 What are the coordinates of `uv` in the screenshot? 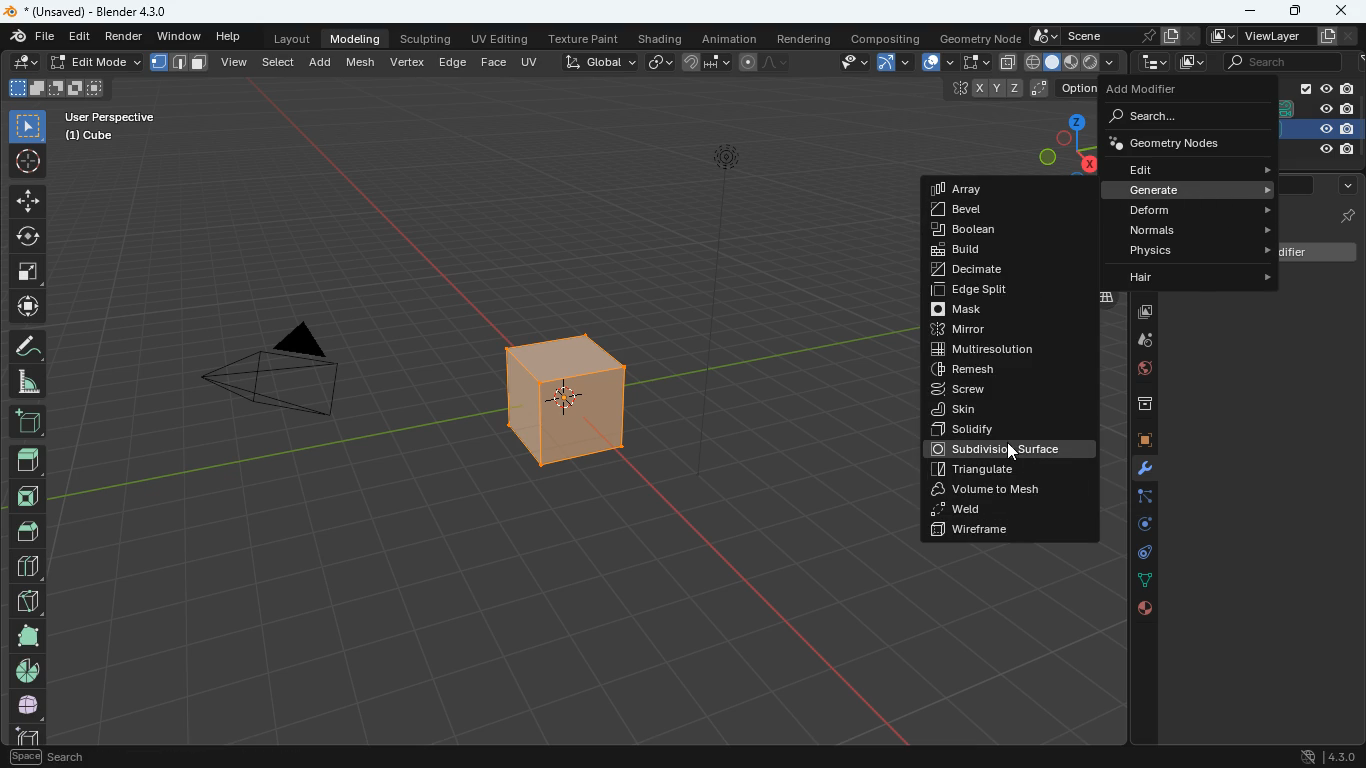 It's located at (527, 61).